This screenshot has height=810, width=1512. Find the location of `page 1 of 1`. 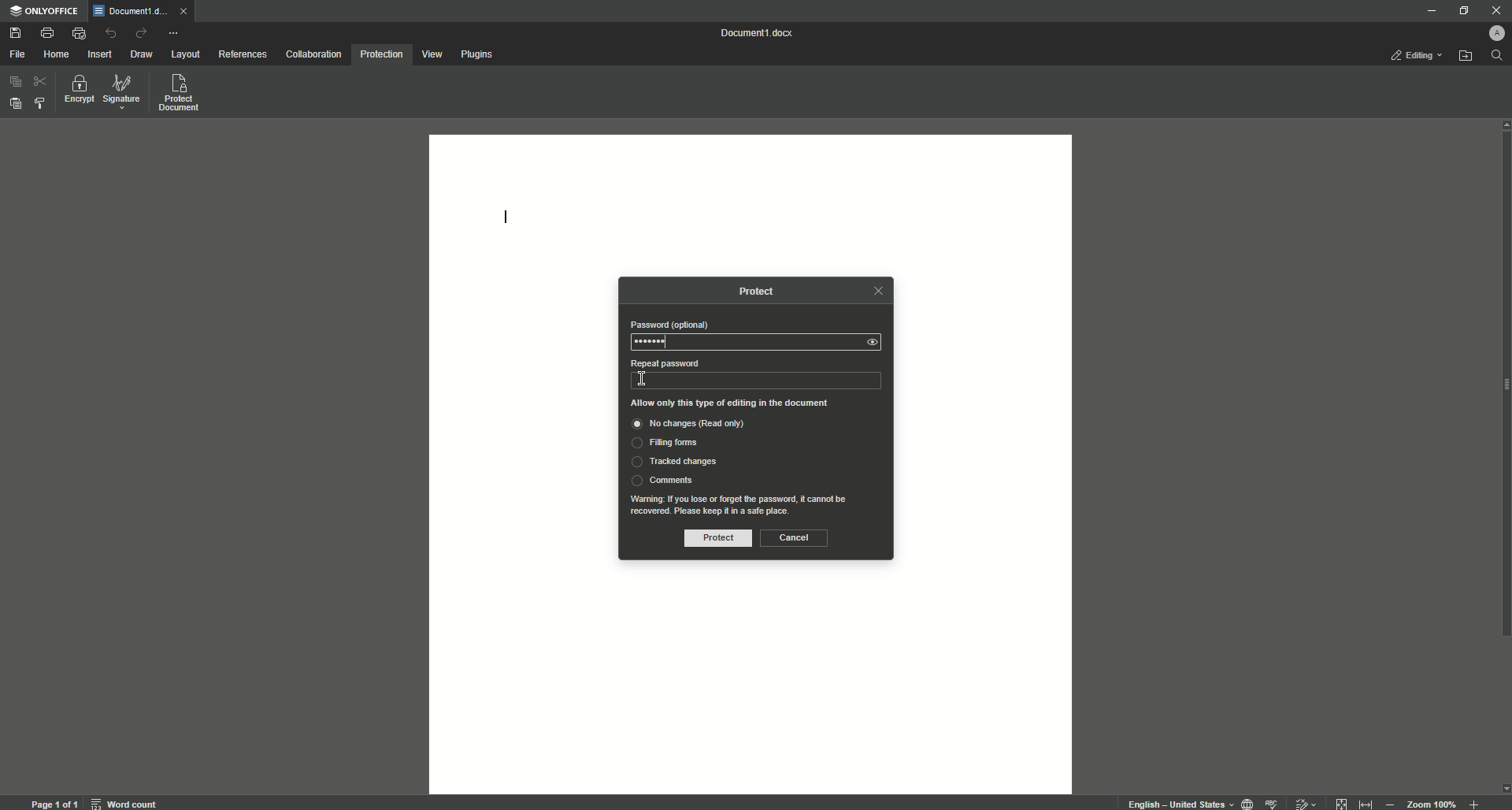

page 1 of 1 is located at coordinates (54, 801).